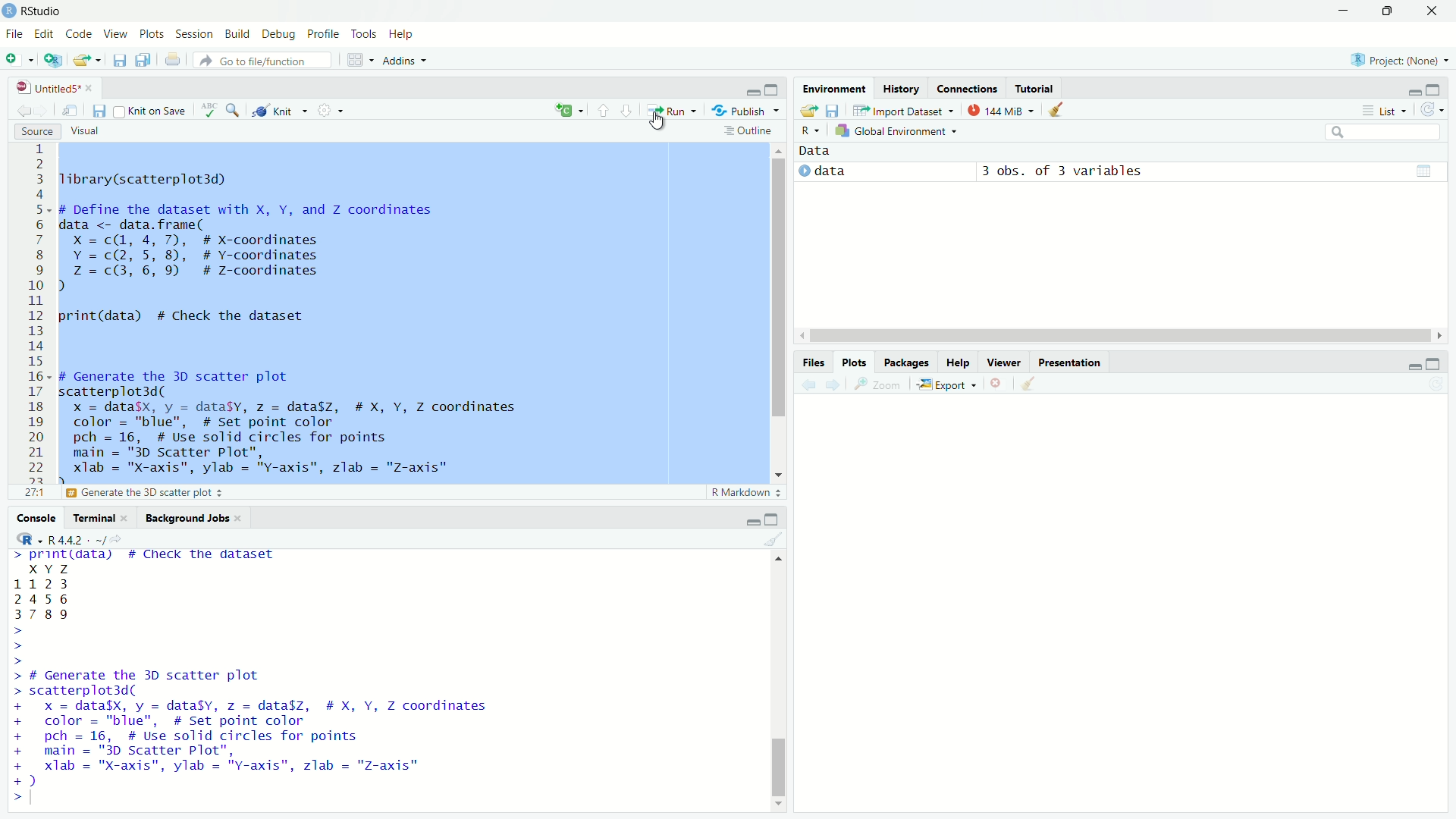 The image size is (1456, 819). What do you see at coordinates (805, 384) in the screenshot?
I see `previous plot` at bounding box center [805, 384].